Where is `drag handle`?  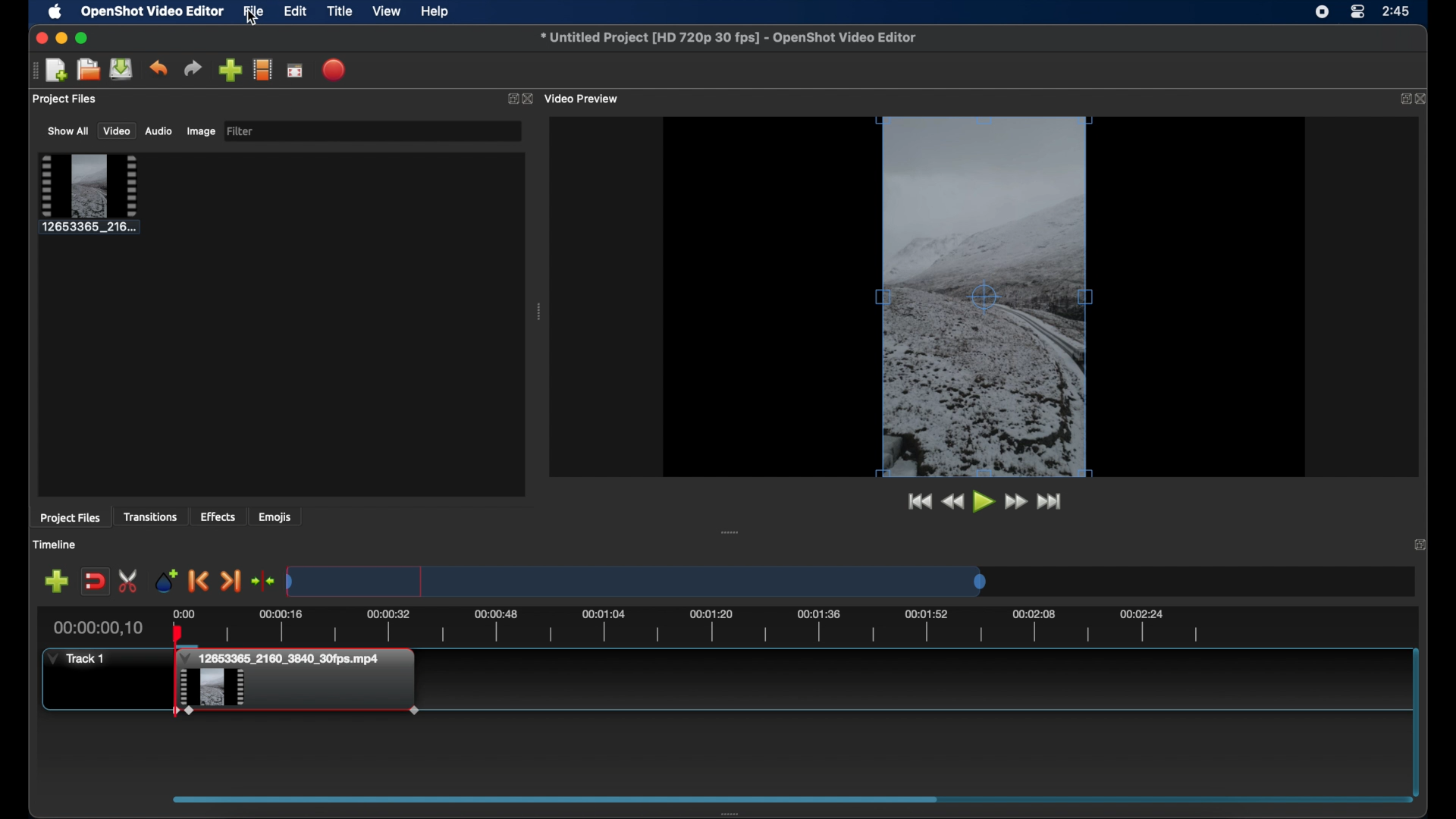
drag handle is located at coordinates (539, 312).